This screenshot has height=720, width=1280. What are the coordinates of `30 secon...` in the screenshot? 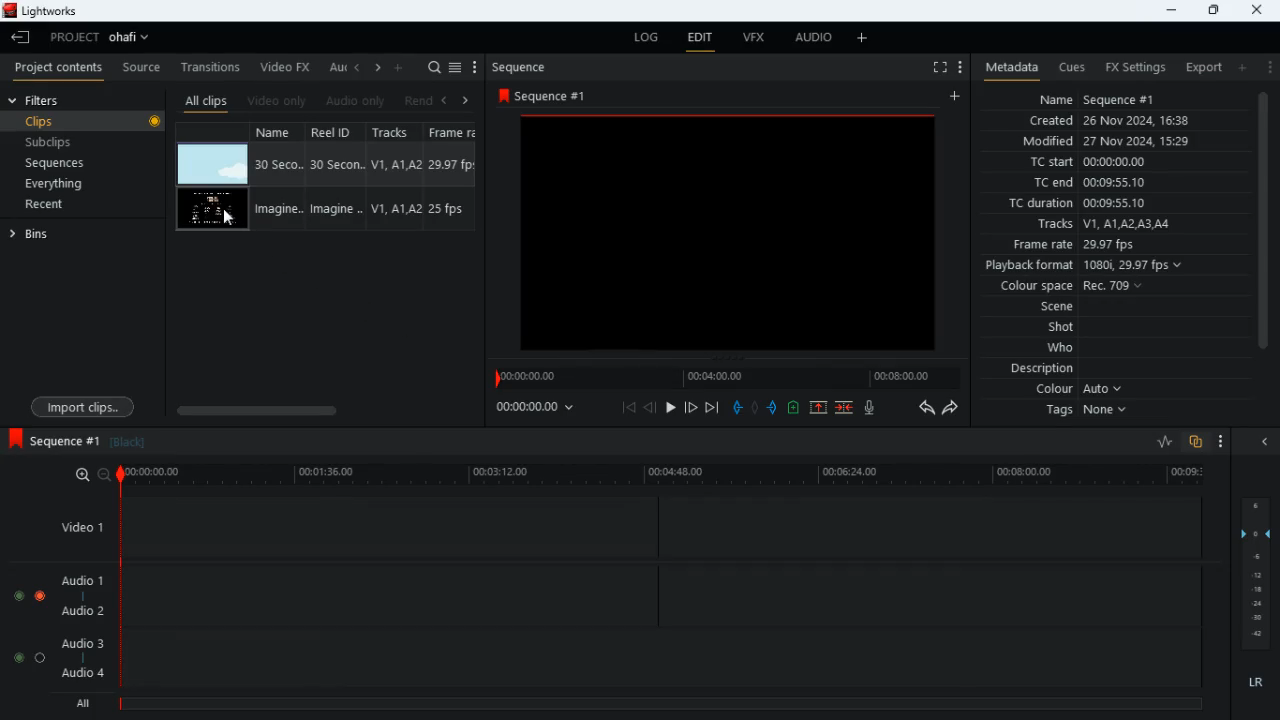 It's located at (334, 165).